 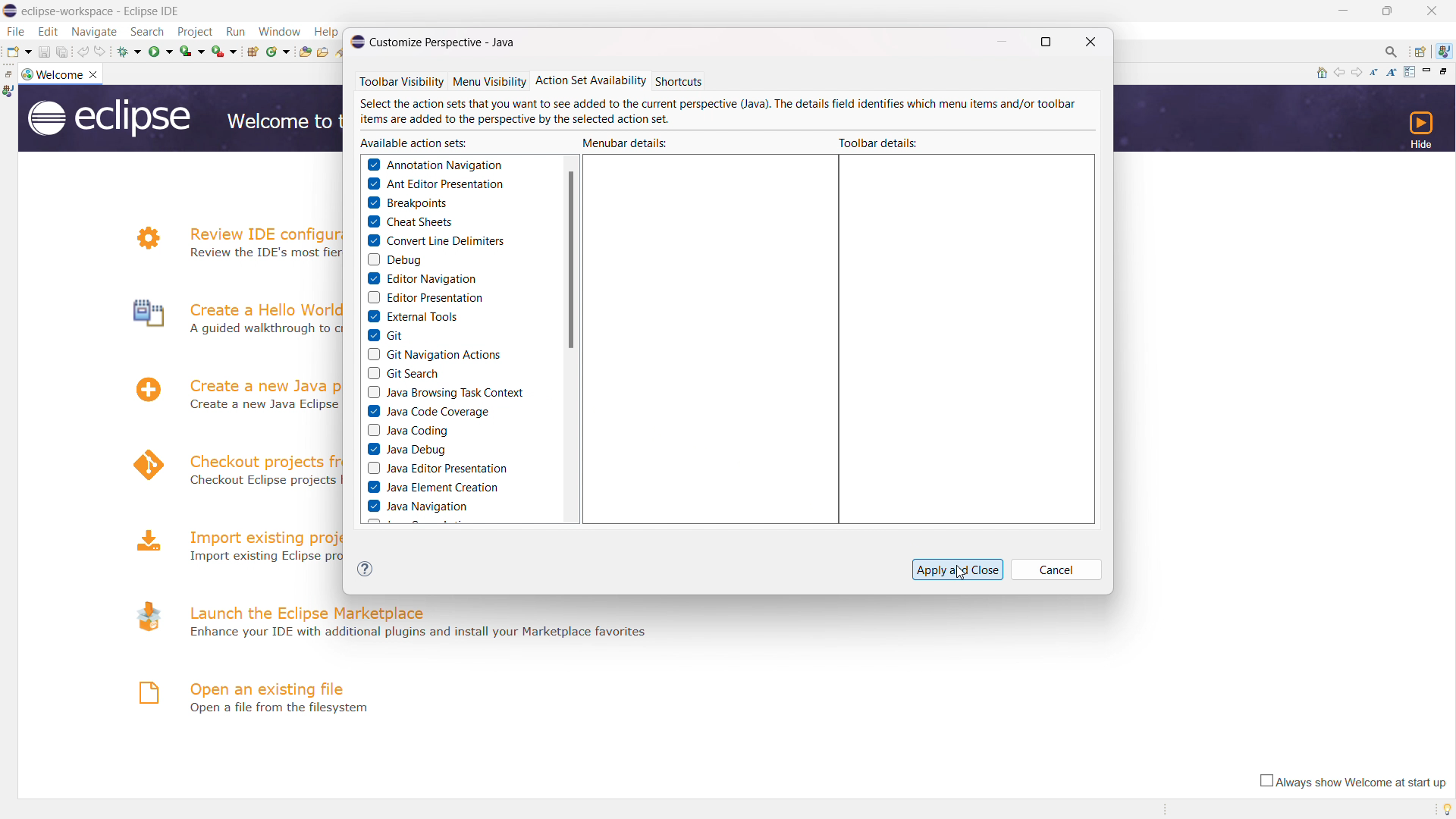 What do you see at coordinates (1446, 51) in the screenshot?
I see `java` at bounding box center [1446, 51].